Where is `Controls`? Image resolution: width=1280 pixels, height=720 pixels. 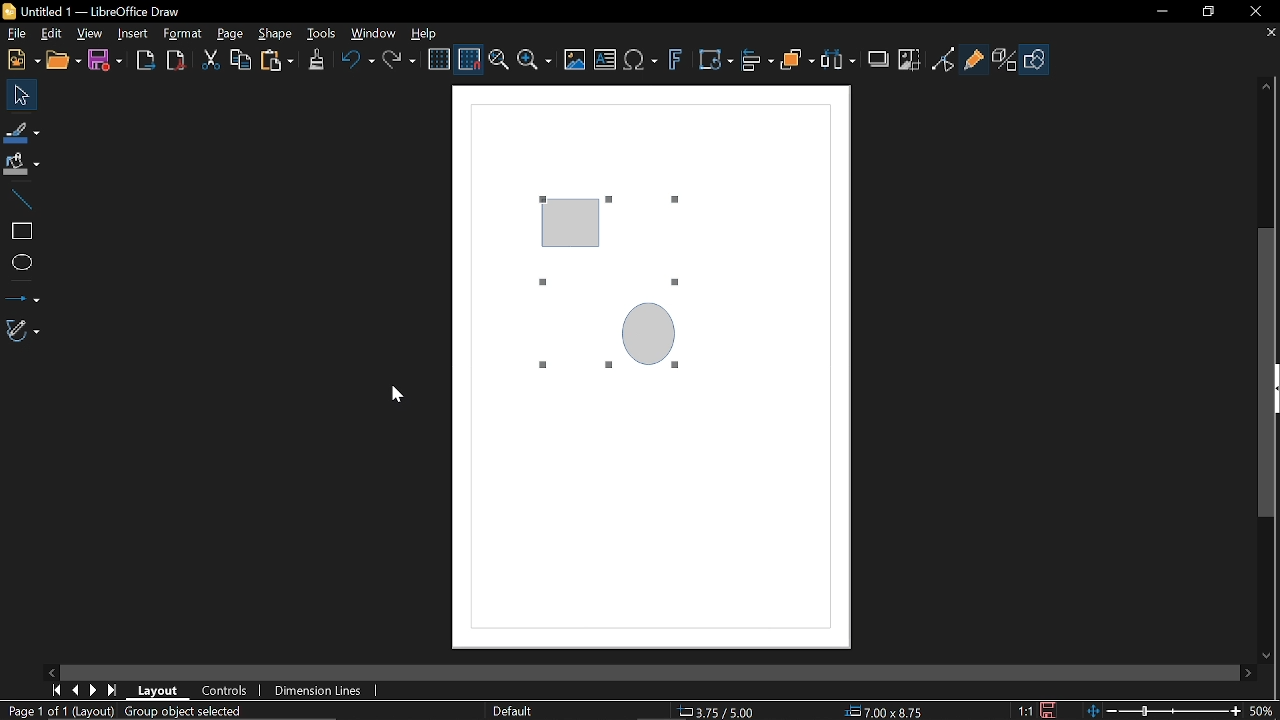 Controls is located at coordinates (222, 691).